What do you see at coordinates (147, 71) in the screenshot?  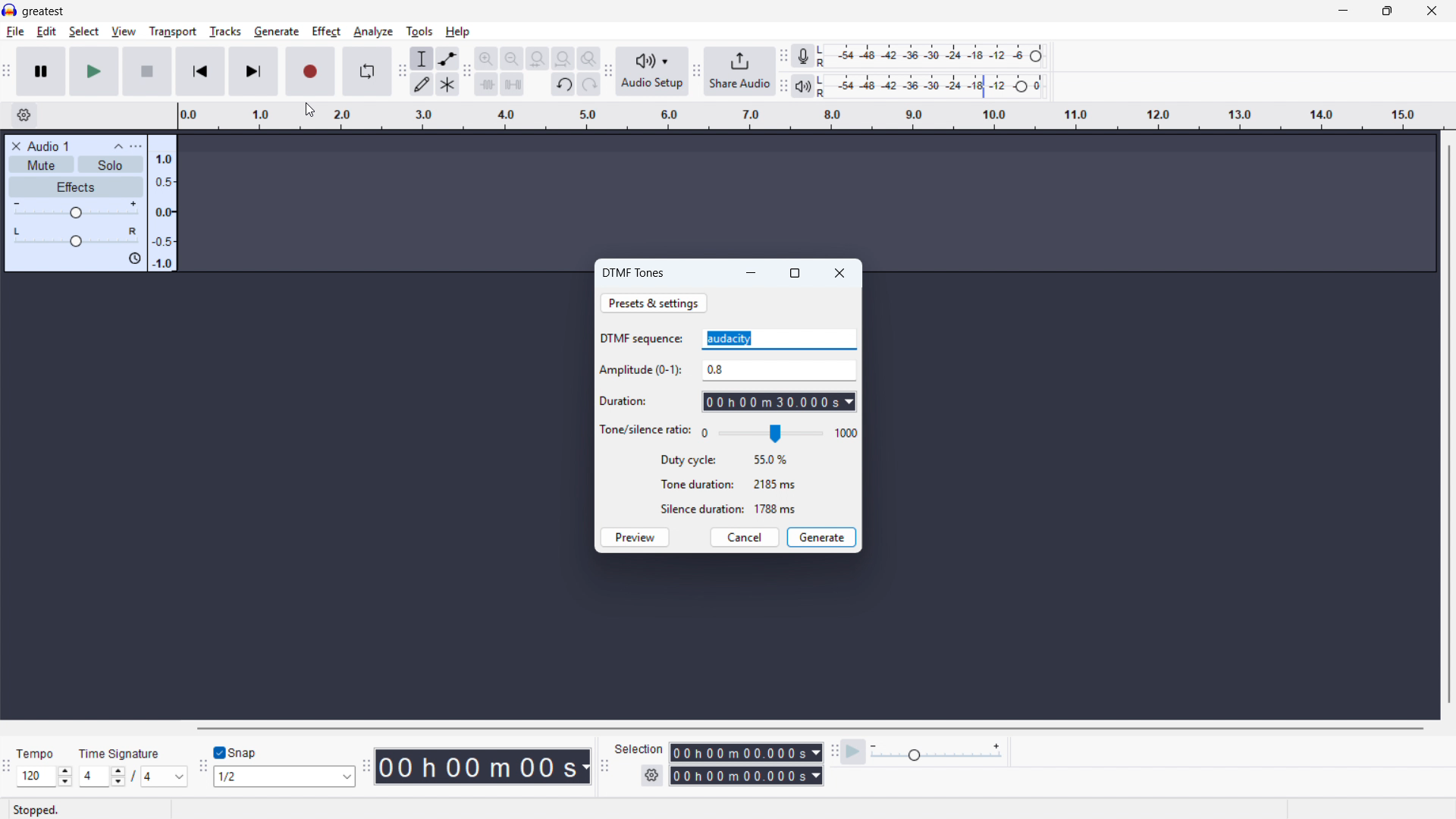 I see `stop` at bounding box center [147, 71].